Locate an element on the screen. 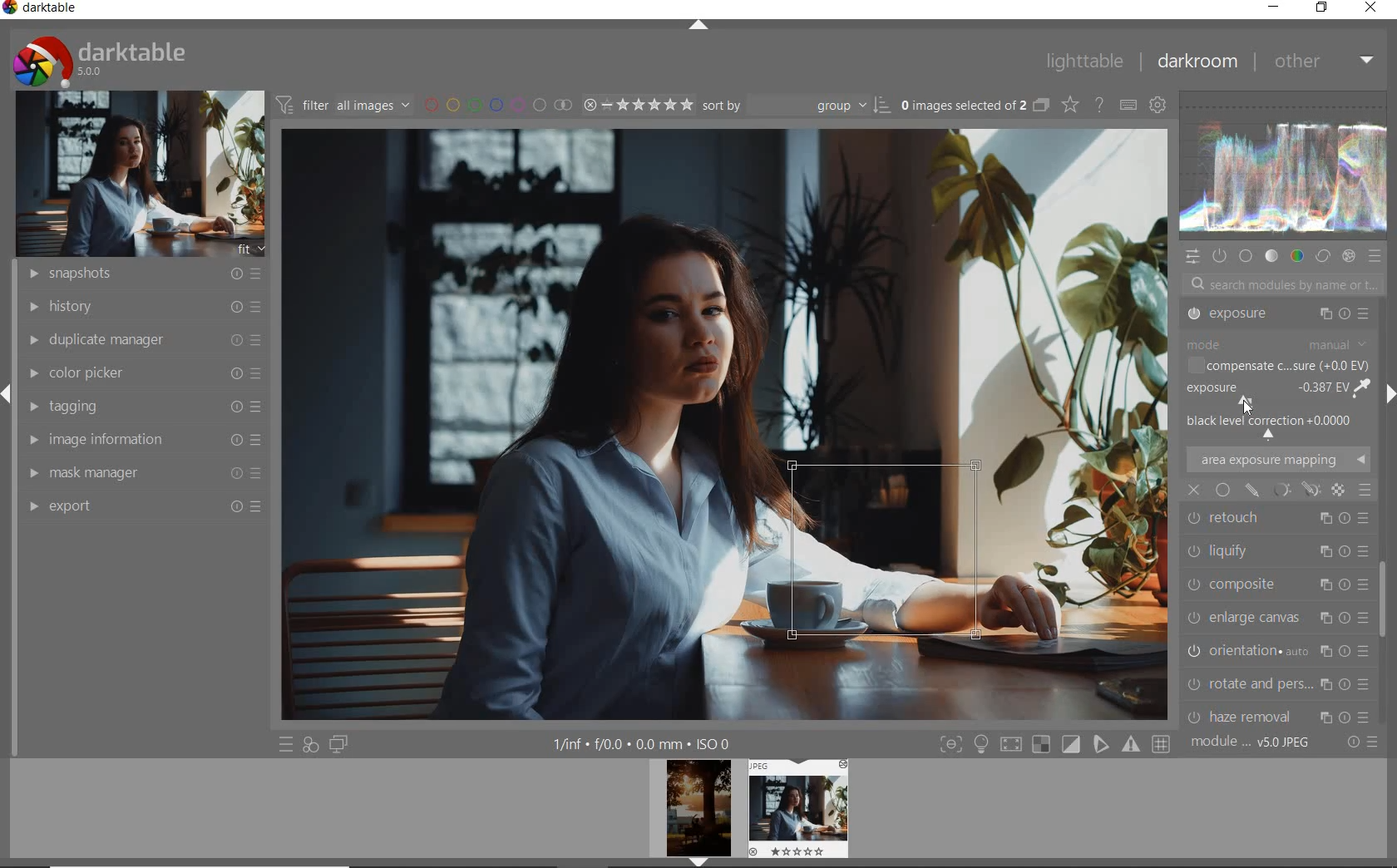  SYSTEM LOGO & NAME is located at coordinates (98, 59).